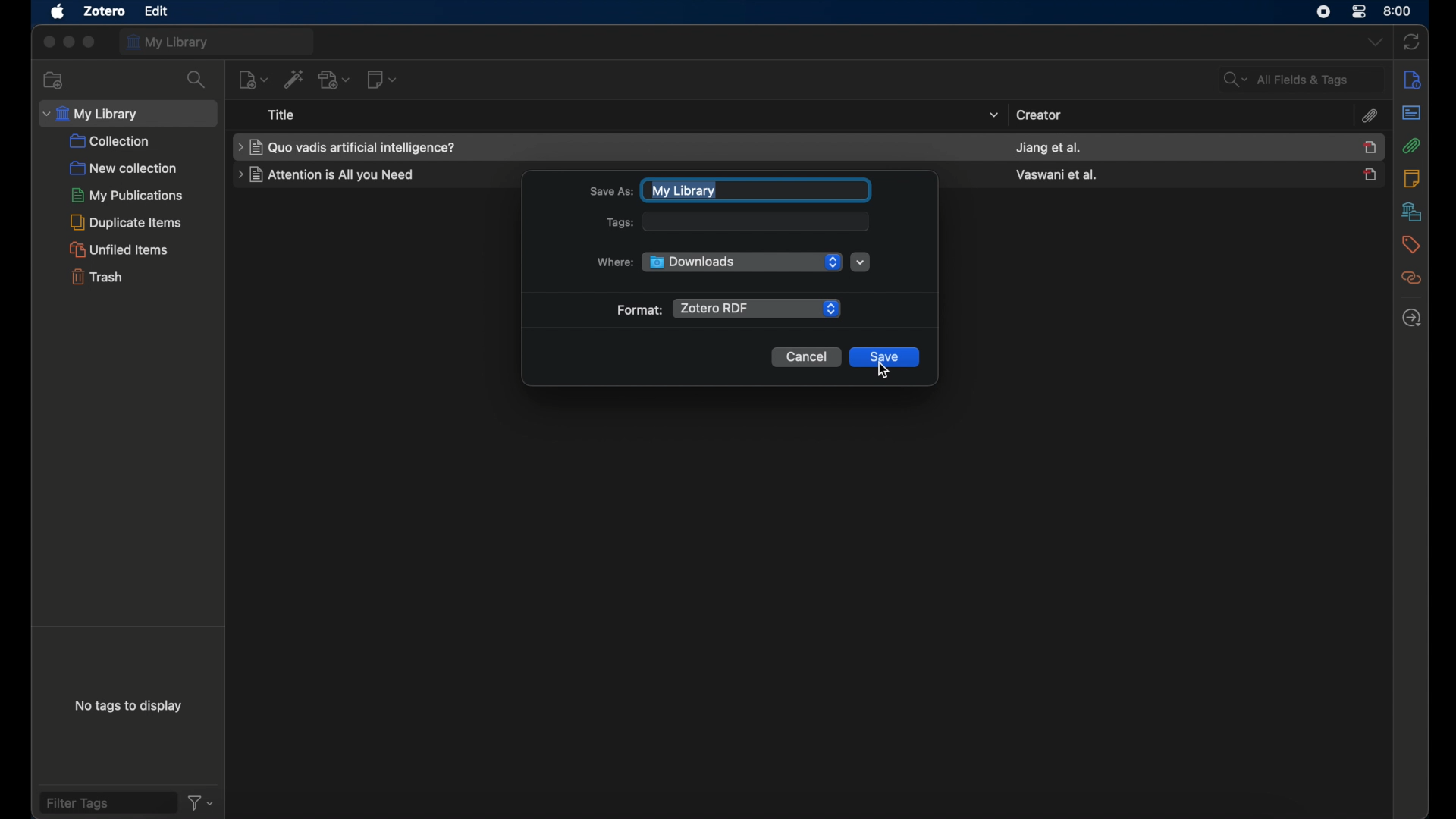 Image resolution: width=1456 pixels, height=819 pixels. What do you see at coordinates (253, 79) in the screenshot?
I see `new item` at bounding box center [253, 79].